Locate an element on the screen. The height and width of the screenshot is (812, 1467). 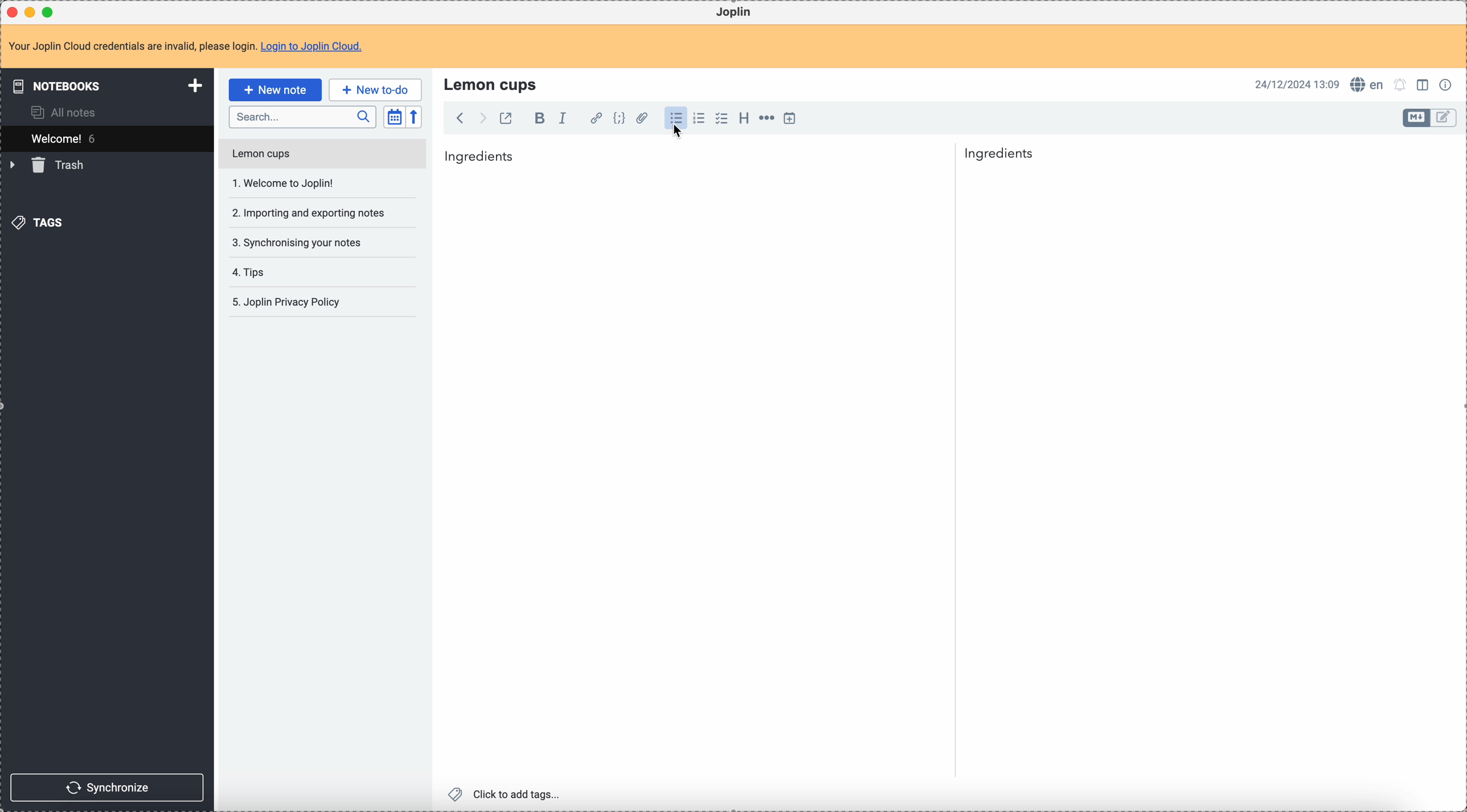
all notes is located at coordinates (67, 112).